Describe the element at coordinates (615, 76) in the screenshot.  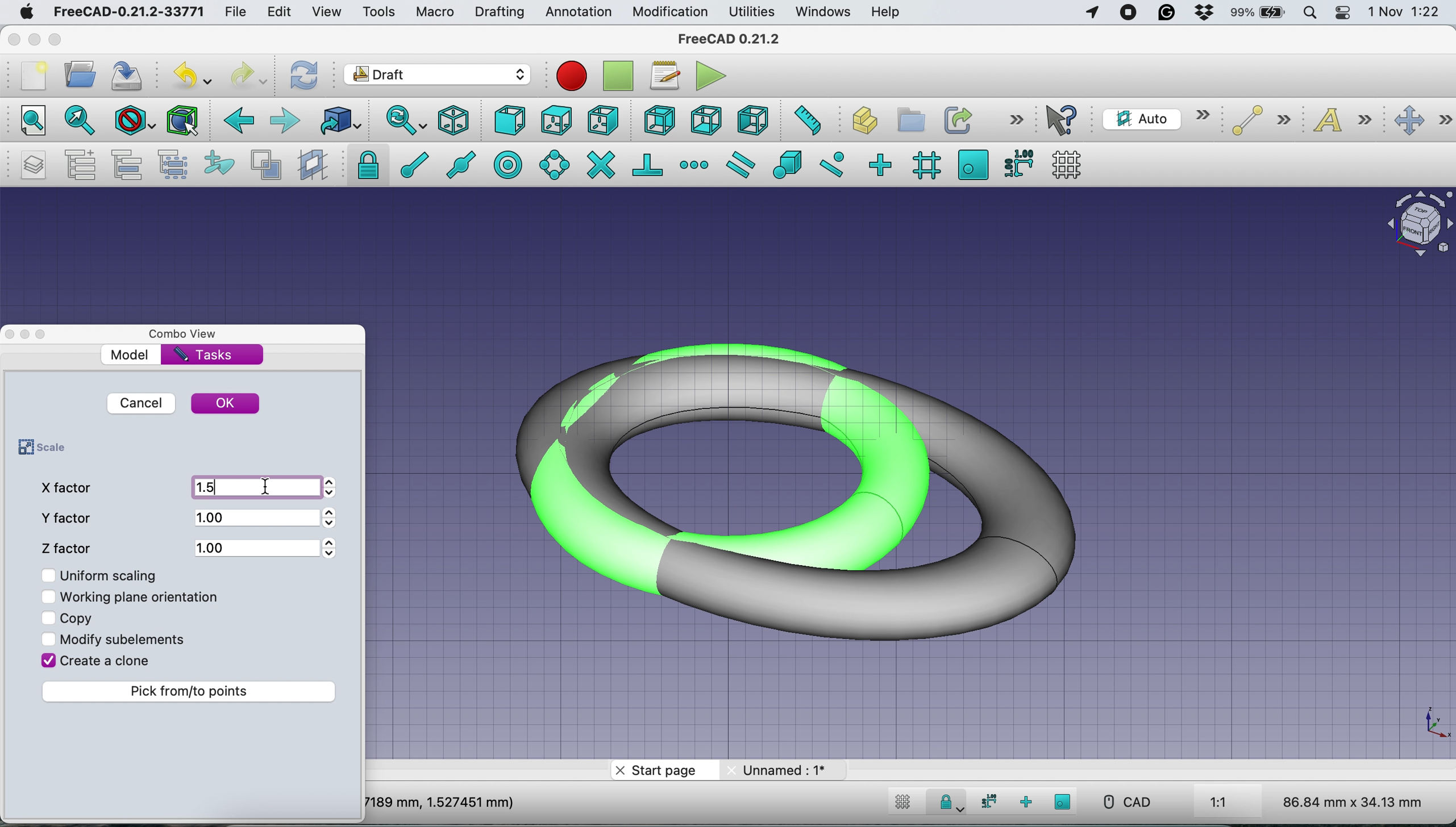
I see `stop debugging` at that location.